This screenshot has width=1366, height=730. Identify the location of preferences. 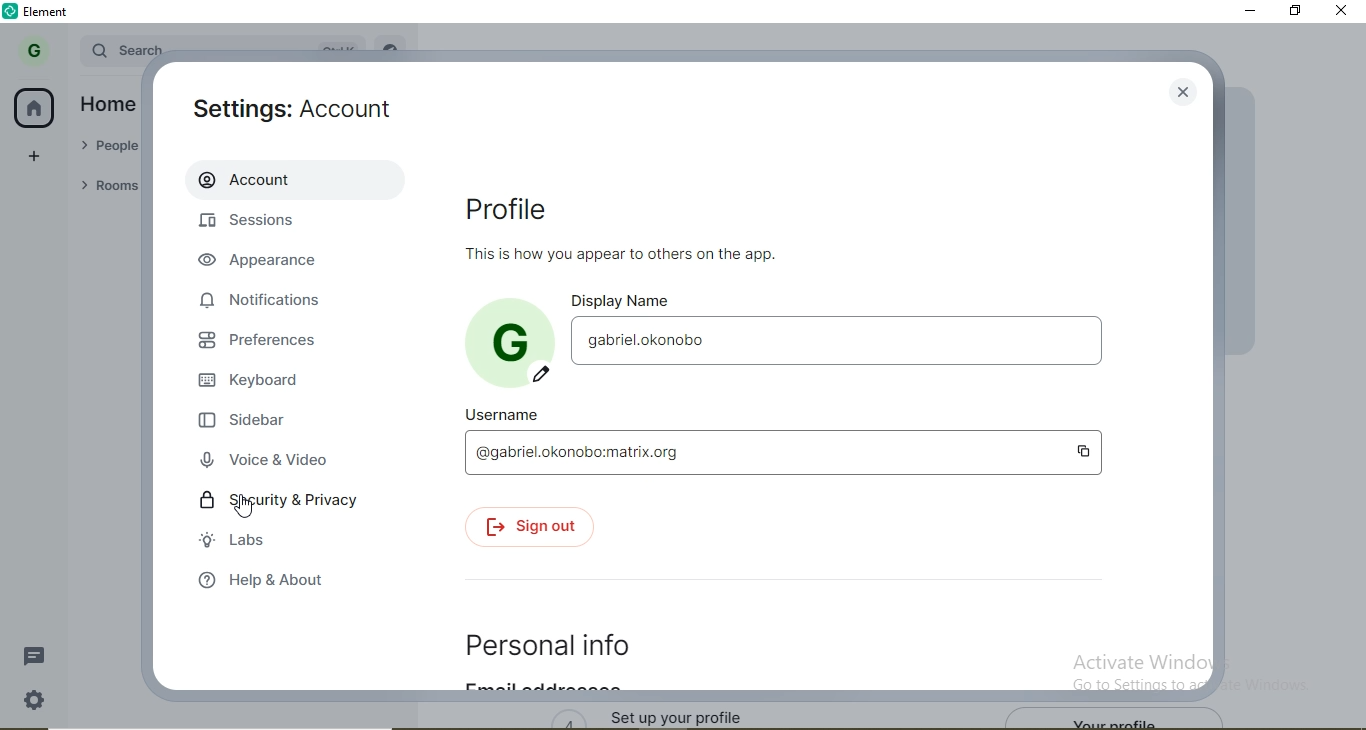
(273, 343).